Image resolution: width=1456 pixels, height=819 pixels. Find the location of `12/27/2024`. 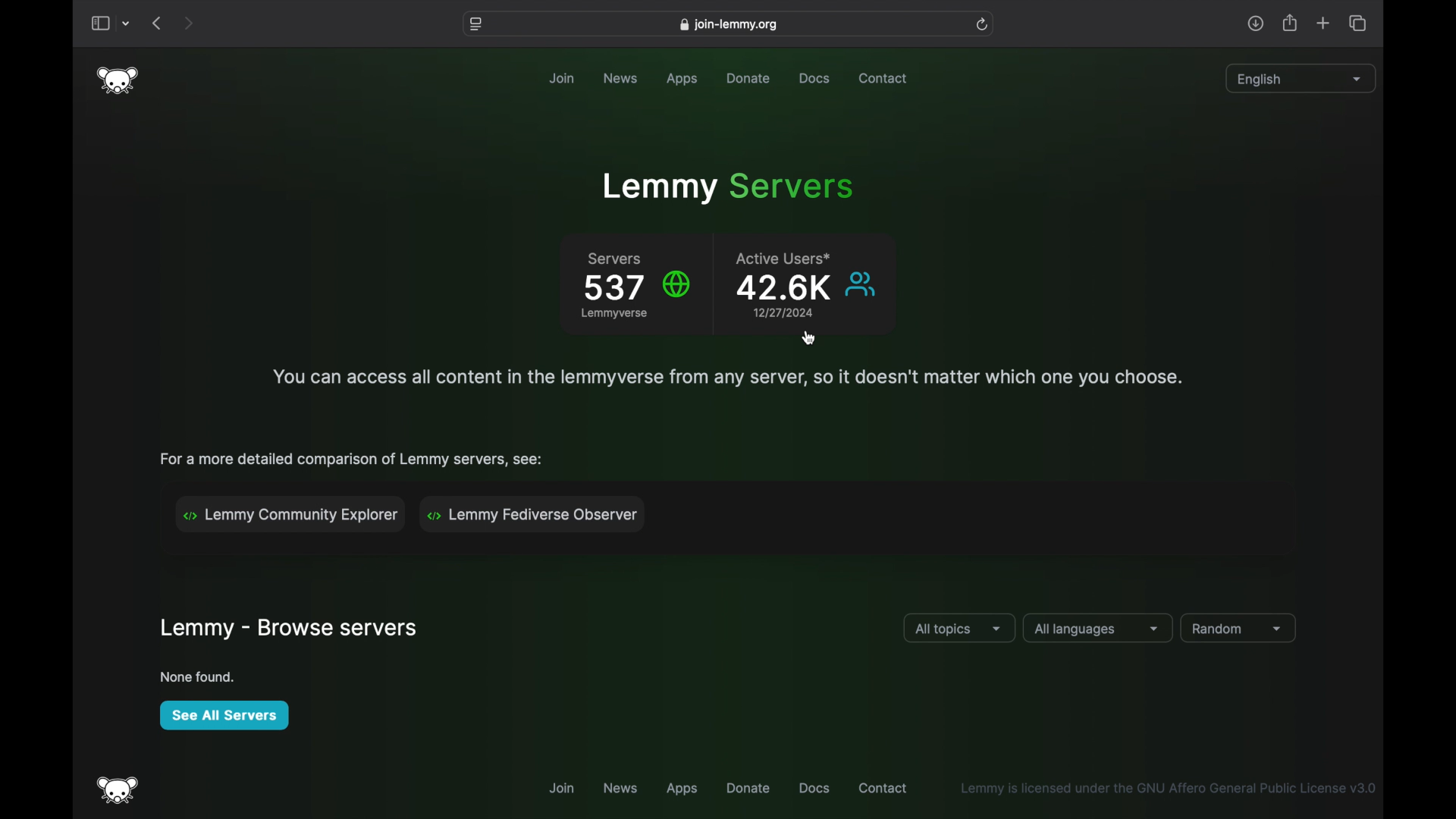

12/27/2024 is located at coordinates (777, 312).